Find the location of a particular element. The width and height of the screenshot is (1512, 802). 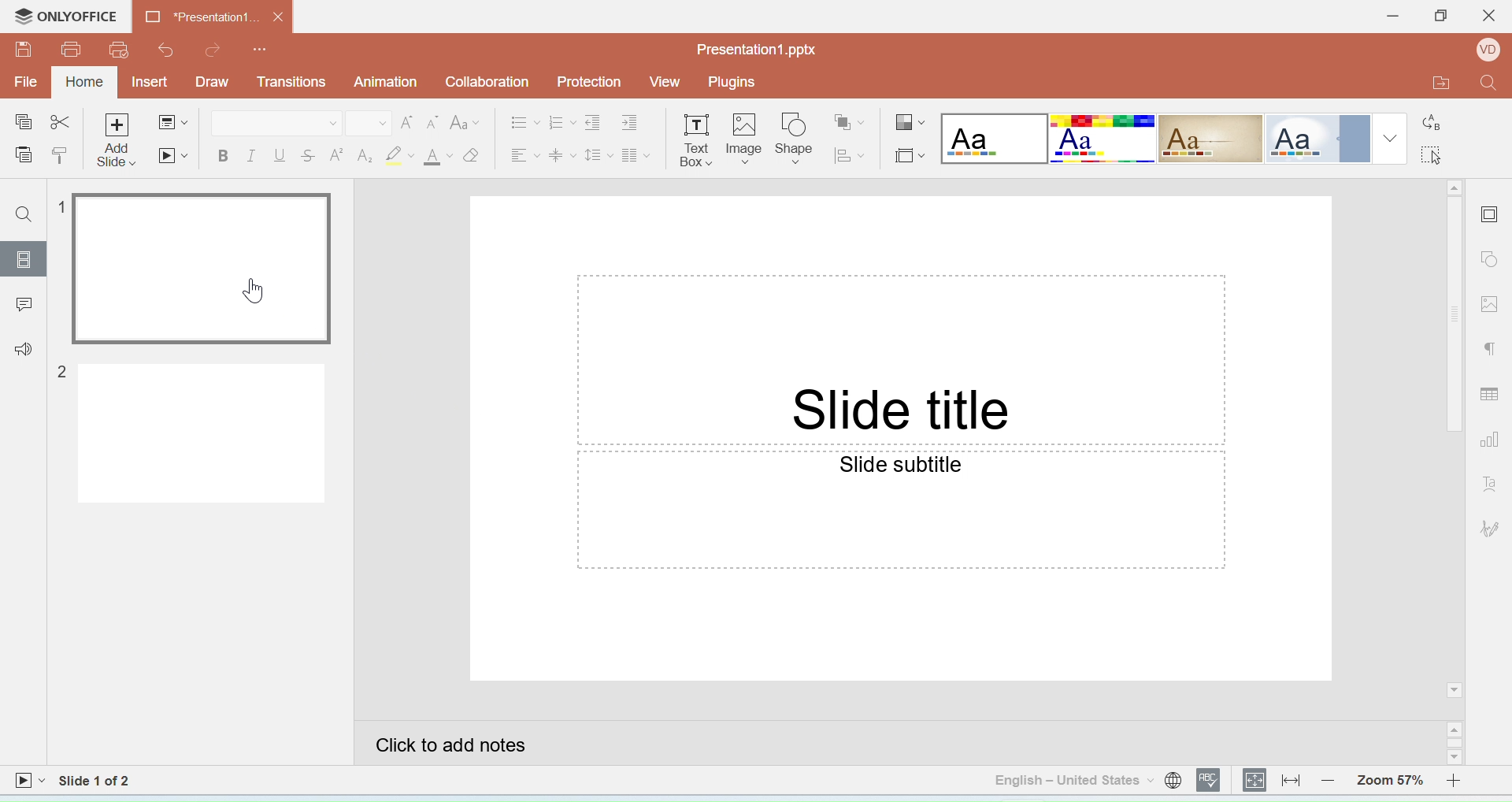

Blank is located at coordinates (994, 139).